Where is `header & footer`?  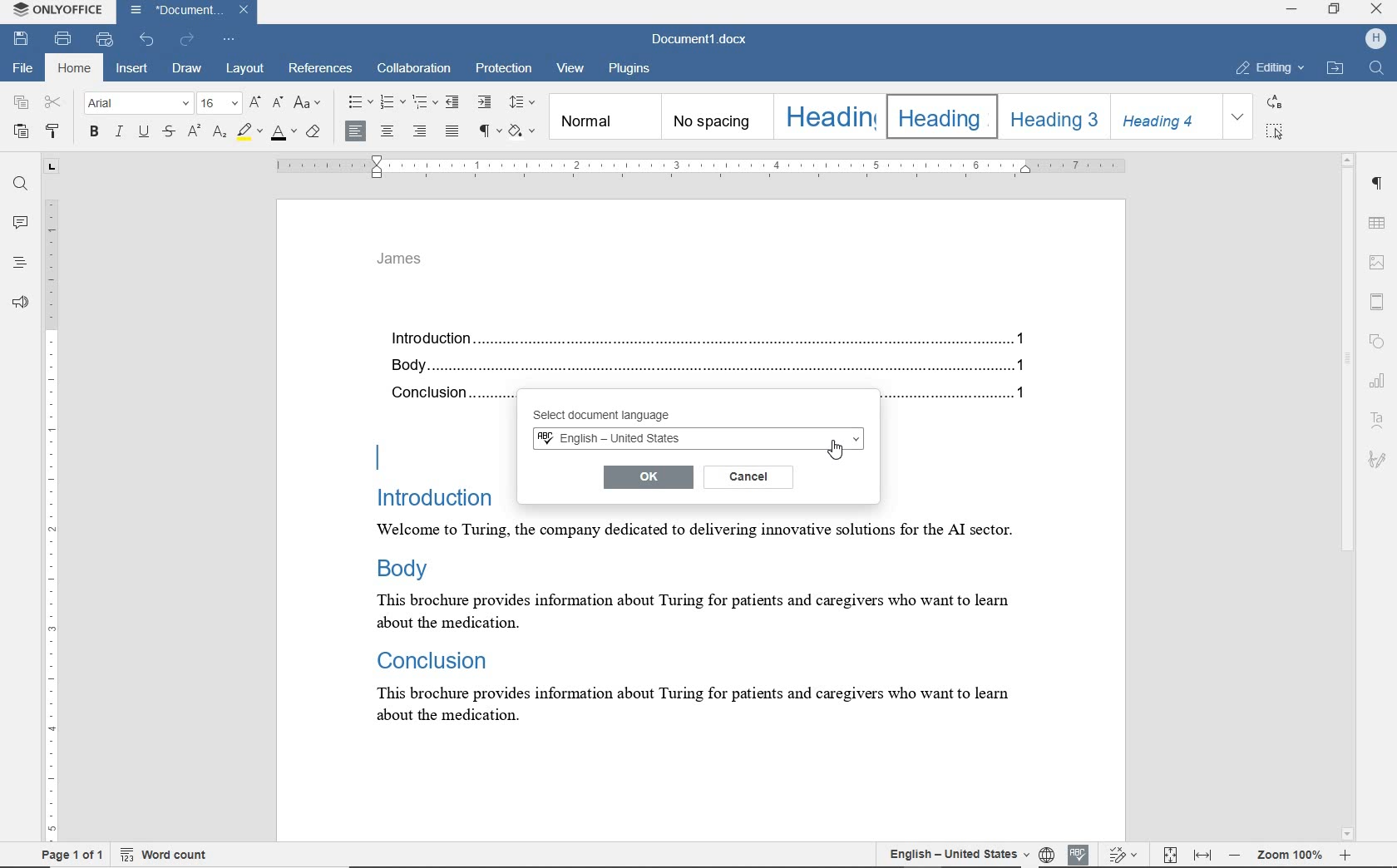
header & footer is located at coordinates (1380, 301).